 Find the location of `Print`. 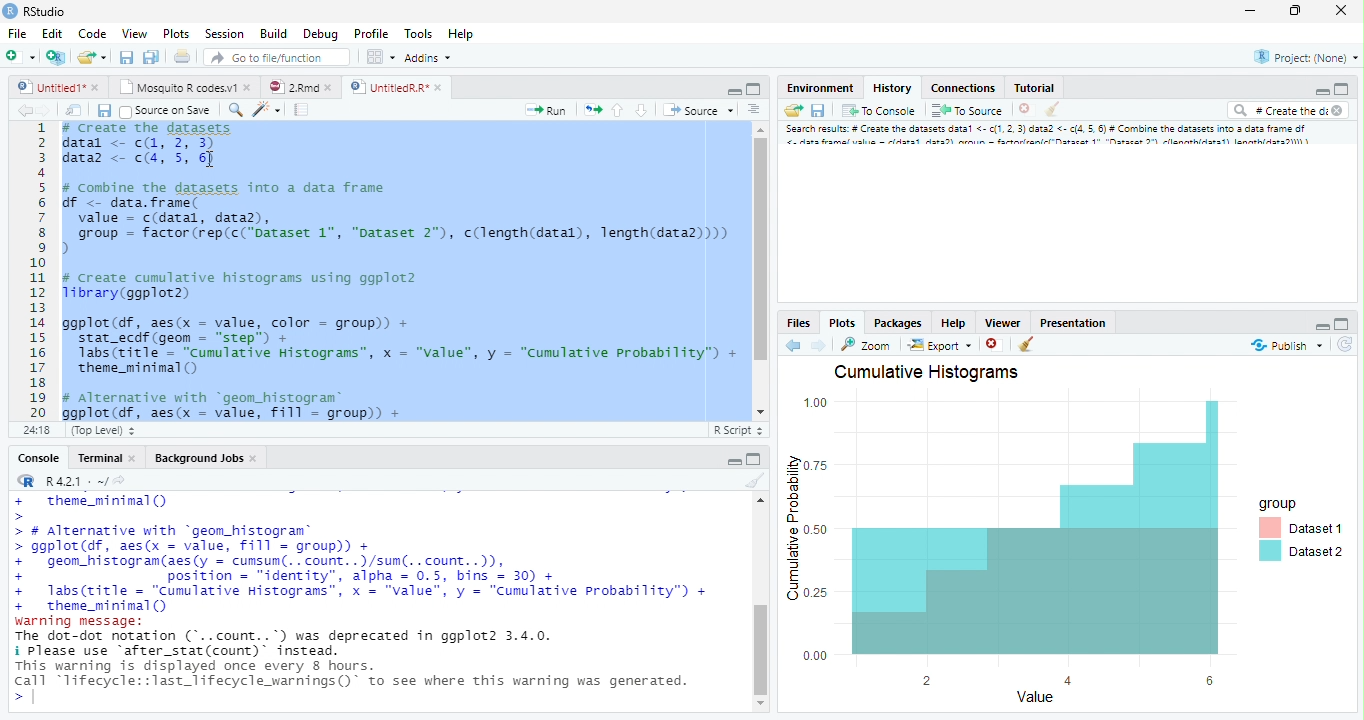

Print is located at coordinates (185, 57).